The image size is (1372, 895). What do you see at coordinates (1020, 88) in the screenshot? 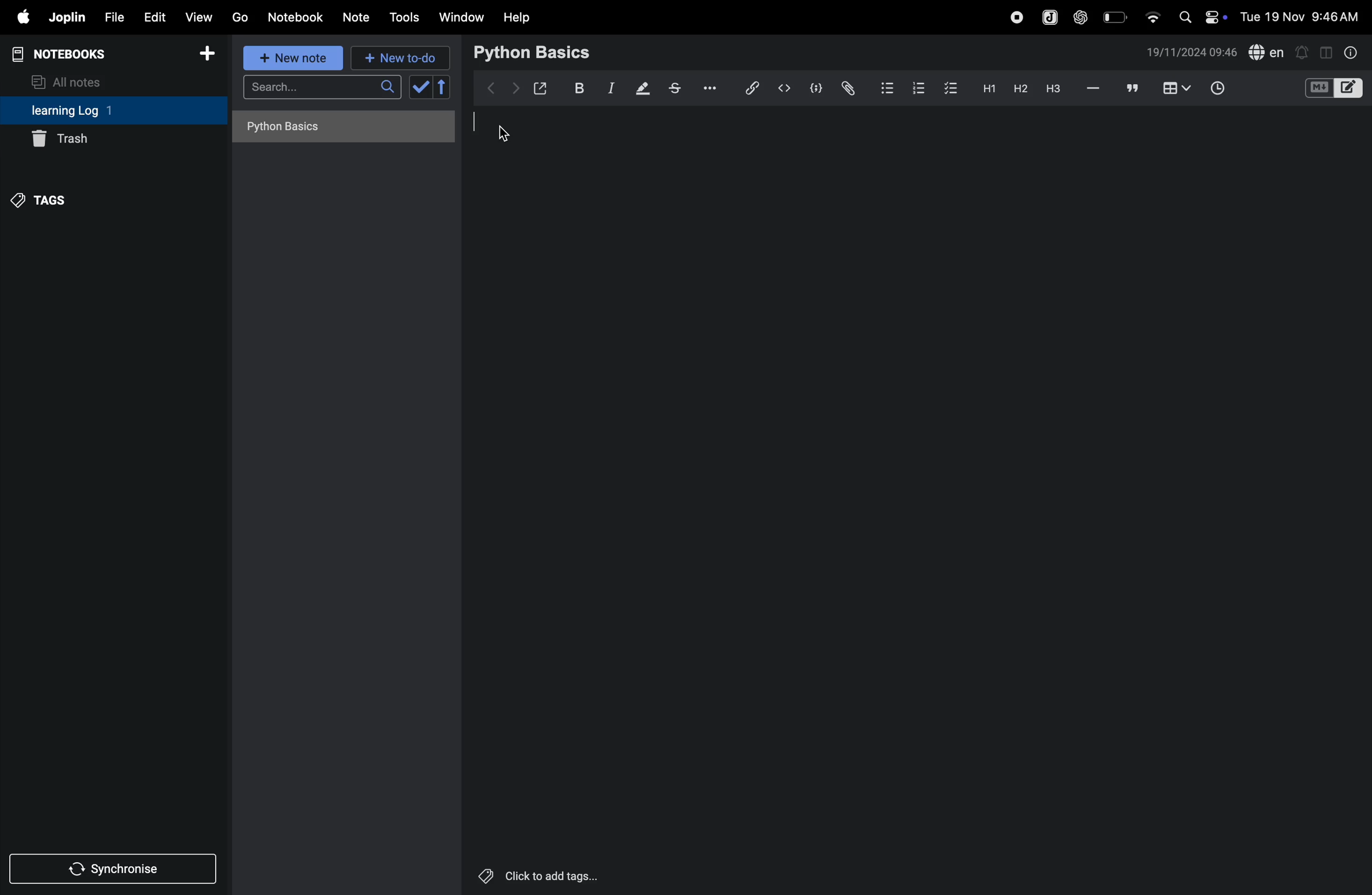
I see `heading 2` at bounding box center [1020, 88].